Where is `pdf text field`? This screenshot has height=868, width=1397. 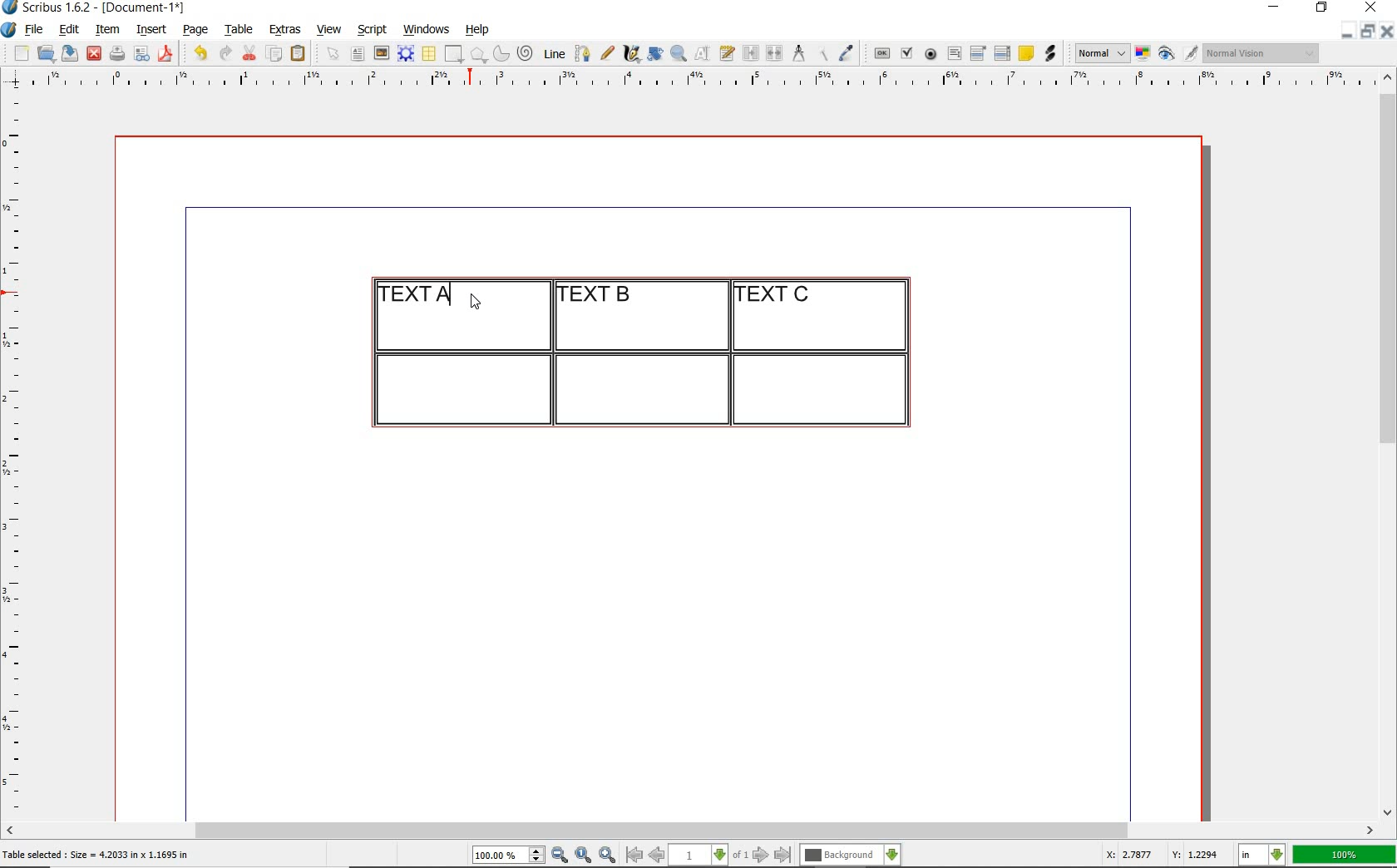 pdf text field is located at coordinates (954, 55).